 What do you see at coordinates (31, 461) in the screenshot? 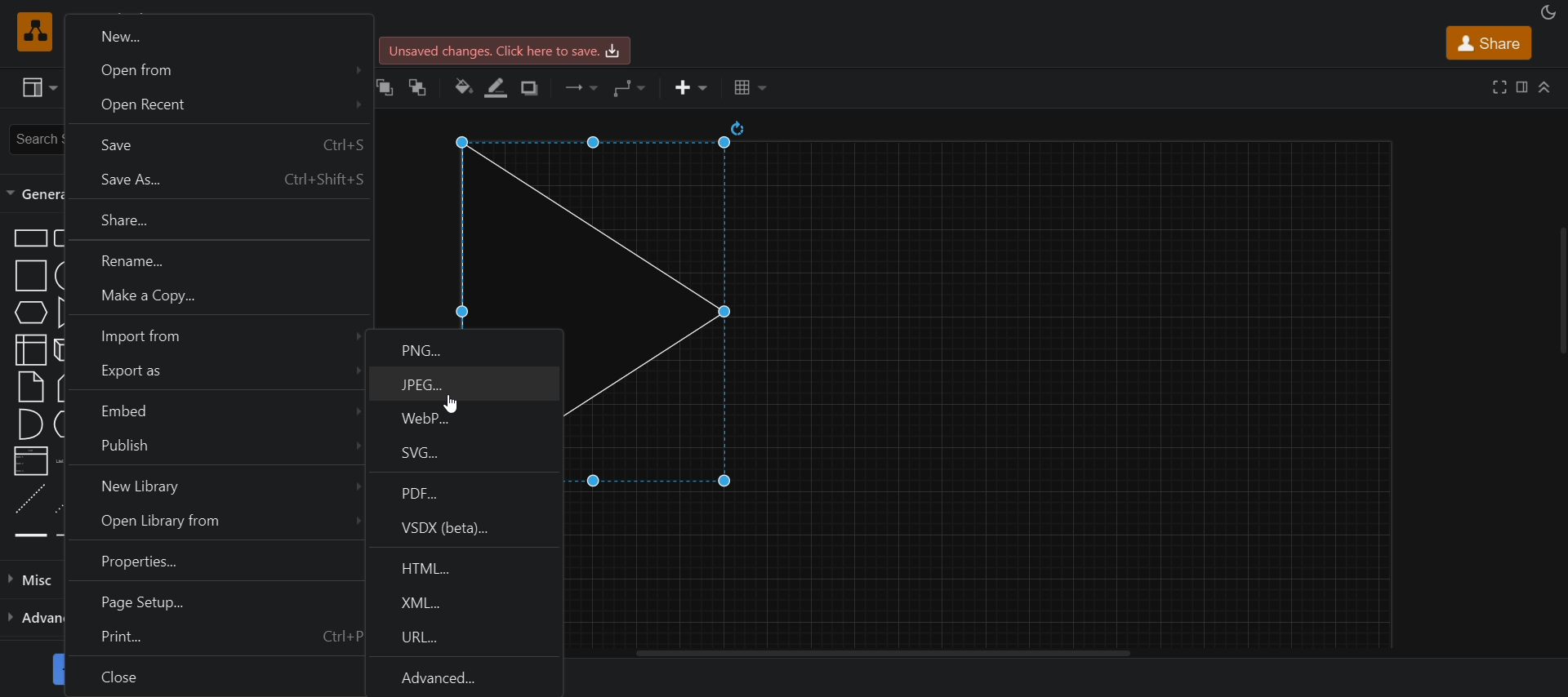
I see `list` at bounding box center [31, 461].